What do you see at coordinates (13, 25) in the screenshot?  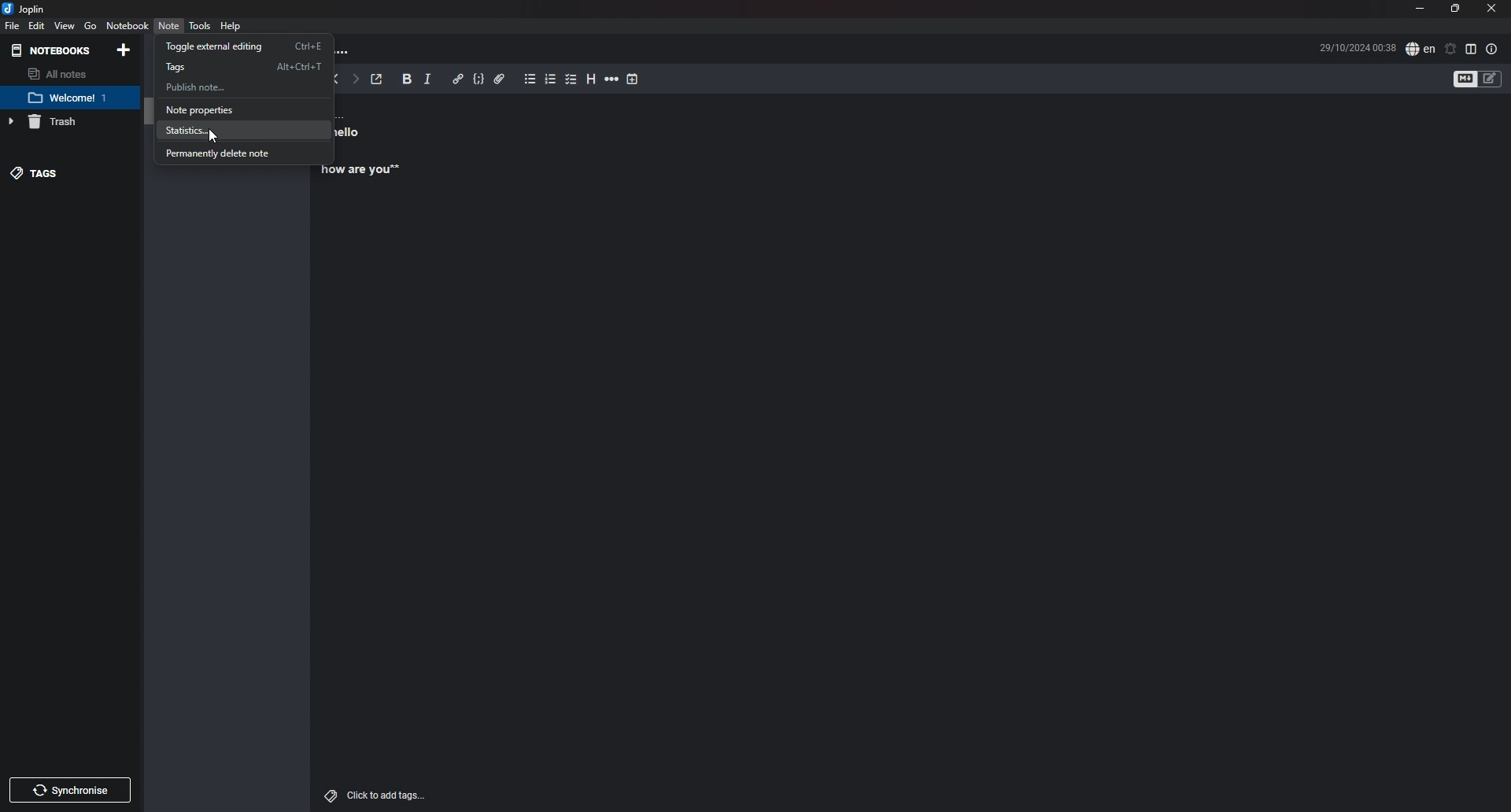 I see `File` at bounding box center [13, 25].